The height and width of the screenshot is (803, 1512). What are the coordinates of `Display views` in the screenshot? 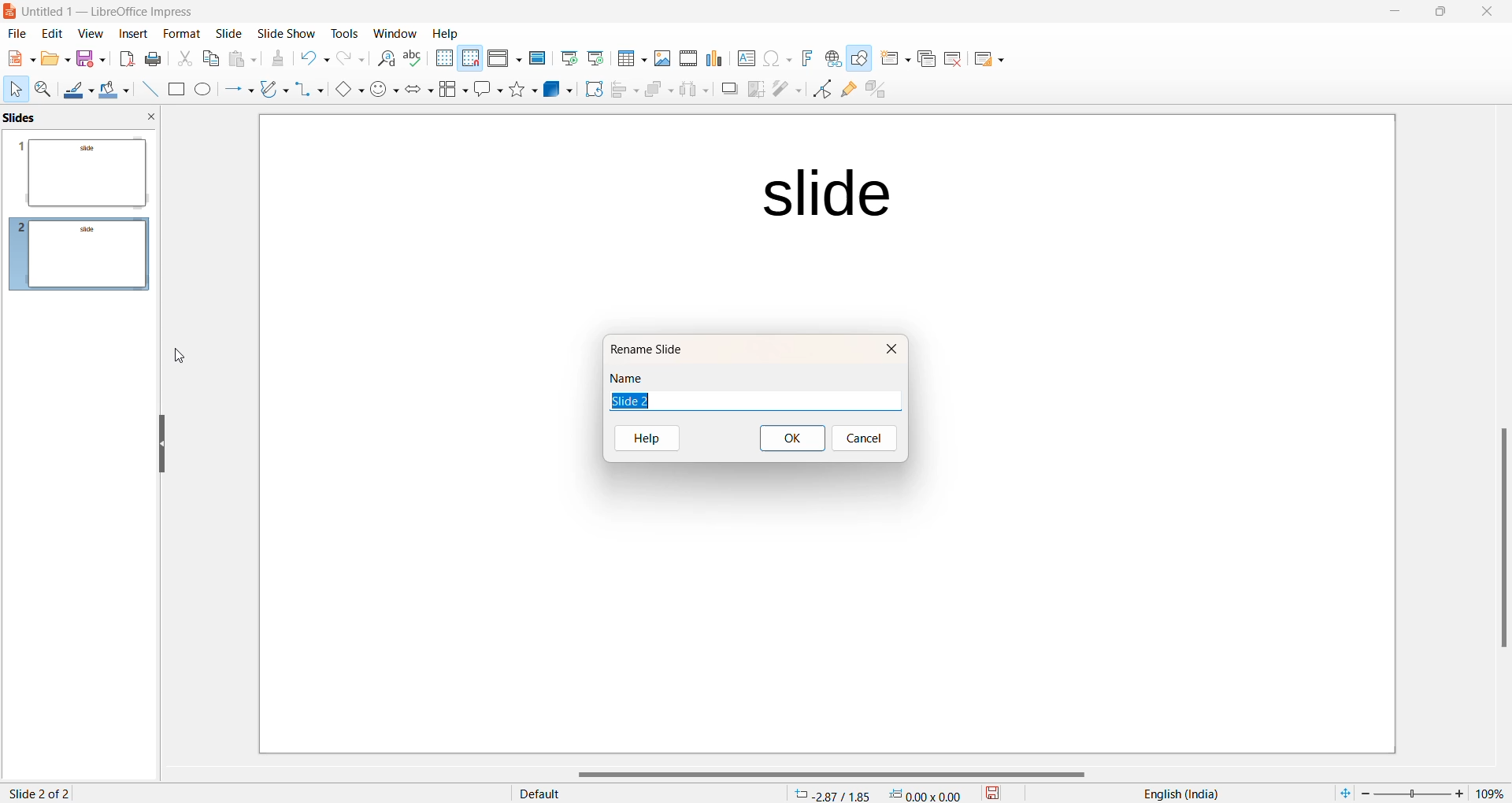 It's located at (504, 57).